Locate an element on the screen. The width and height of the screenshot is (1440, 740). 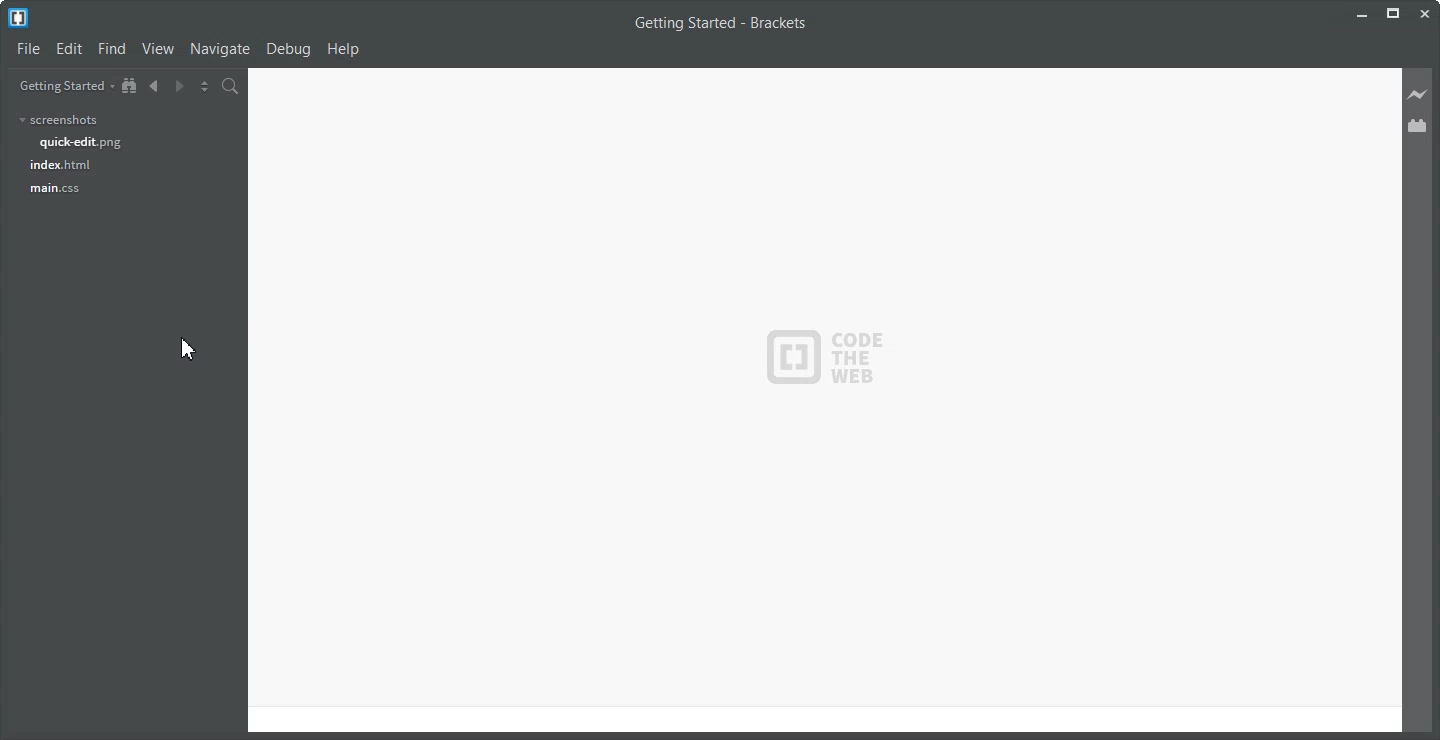
Logo is located at coordinates (18, 18).